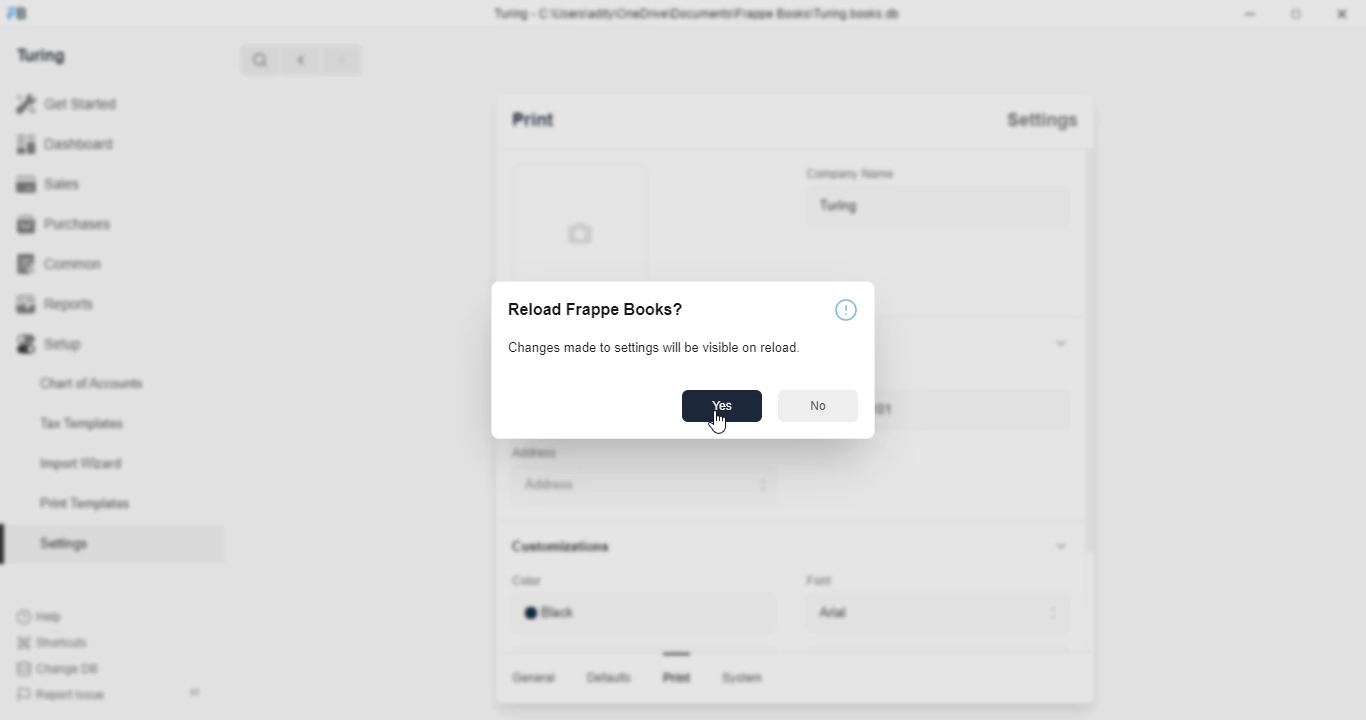 This screenshot has width=1366, height=720. I want to click on collapse, so click(1057, 546).